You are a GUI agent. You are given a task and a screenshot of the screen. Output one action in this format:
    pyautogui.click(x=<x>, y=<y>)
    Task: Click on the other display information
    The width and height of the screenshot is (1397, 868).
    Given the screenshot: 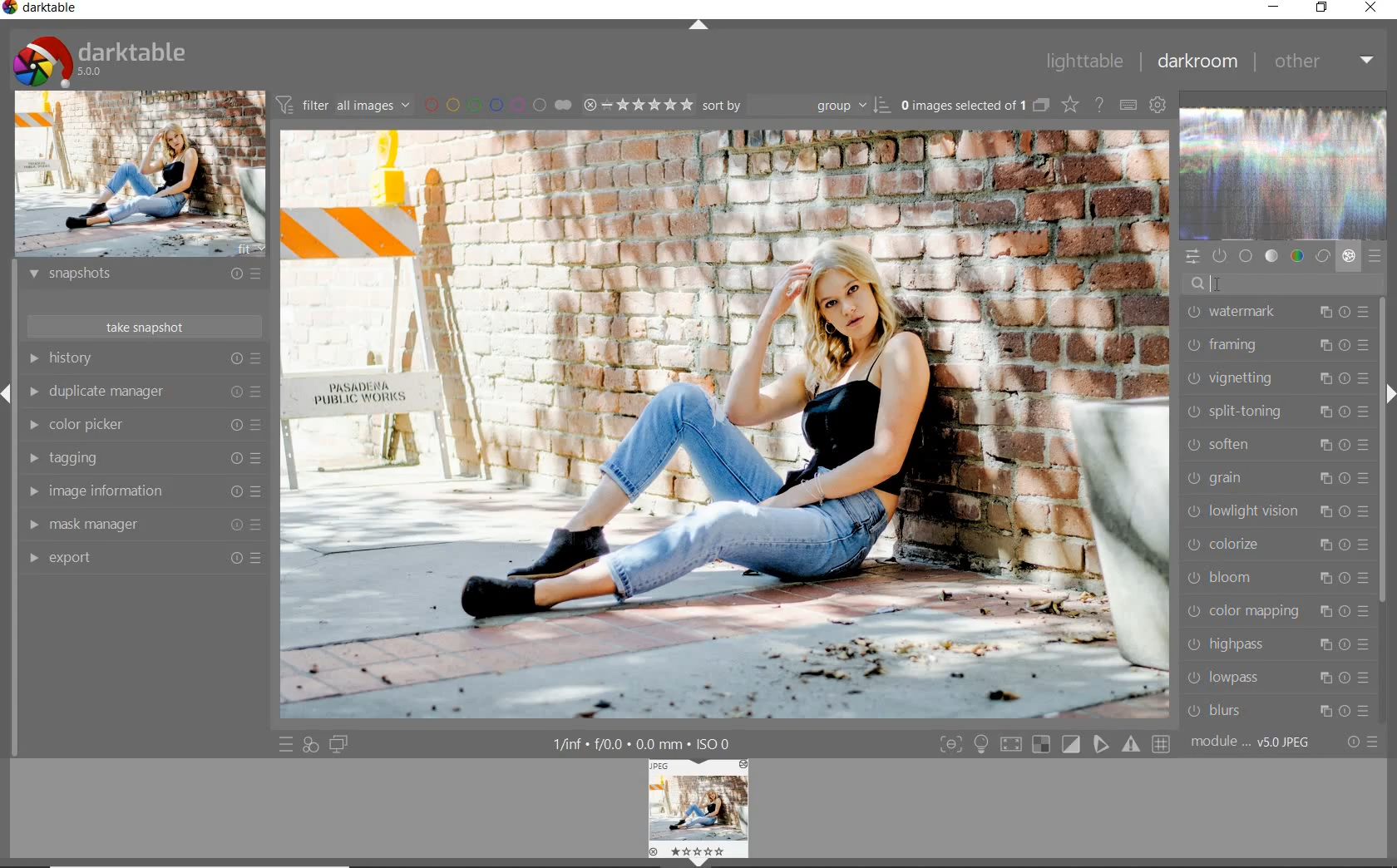 What is the action you would take?
    pyautogui.click(x=644, y=743)
    